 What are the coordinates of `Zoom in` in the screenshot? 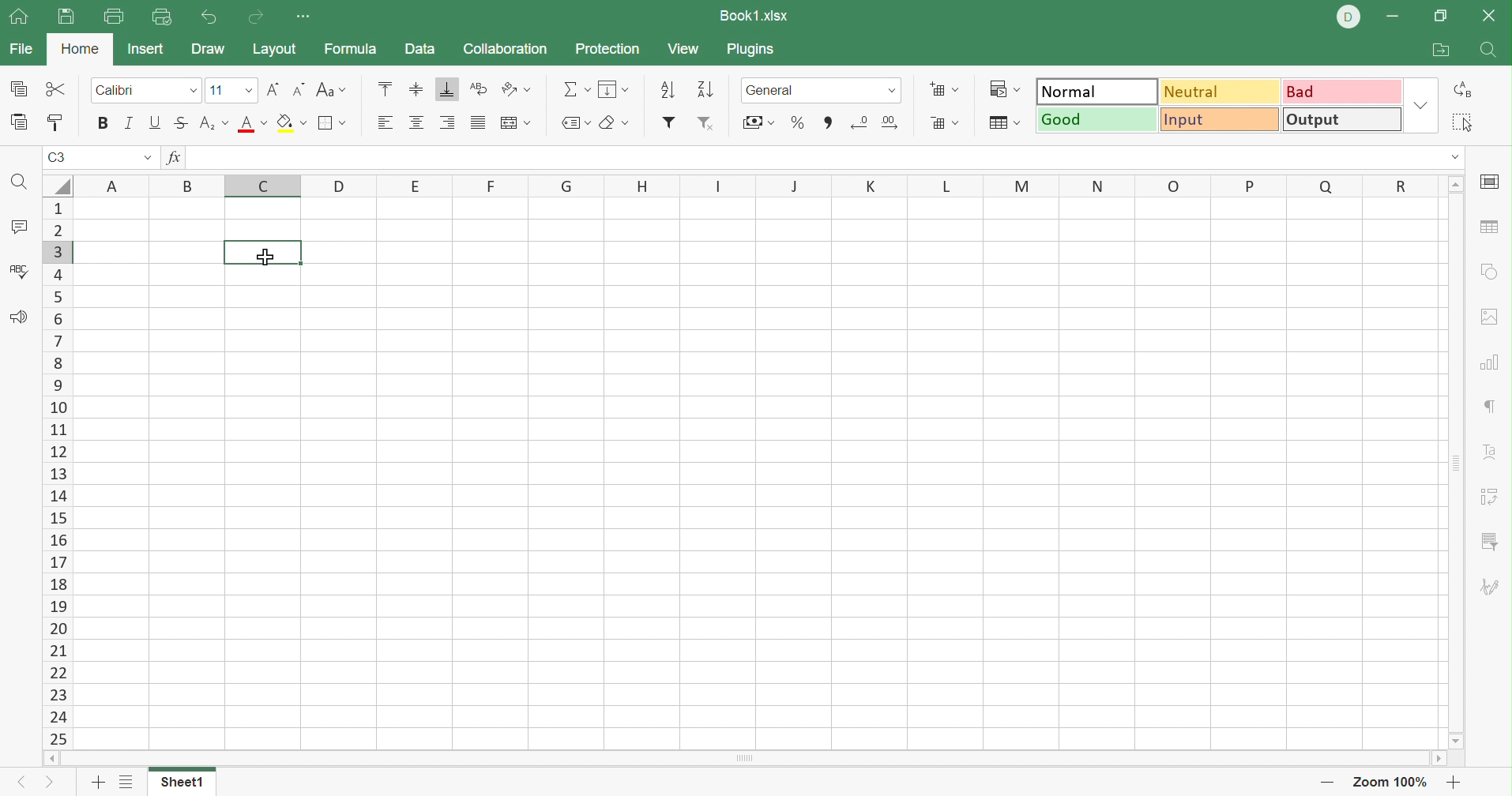 It's located at (1454, 782).